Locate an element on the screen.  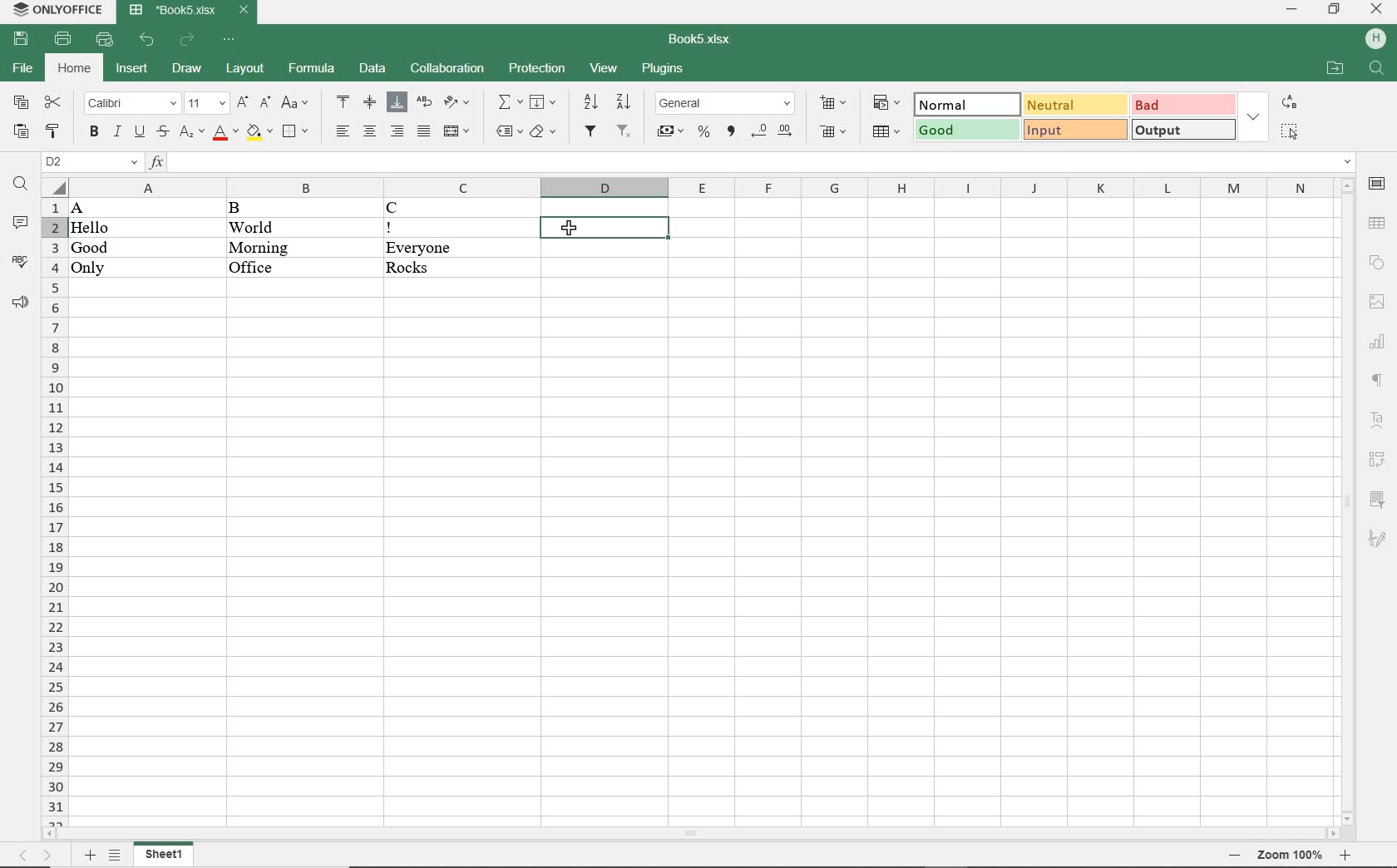
SELECTED CELL is located at coordinates (610, 228).